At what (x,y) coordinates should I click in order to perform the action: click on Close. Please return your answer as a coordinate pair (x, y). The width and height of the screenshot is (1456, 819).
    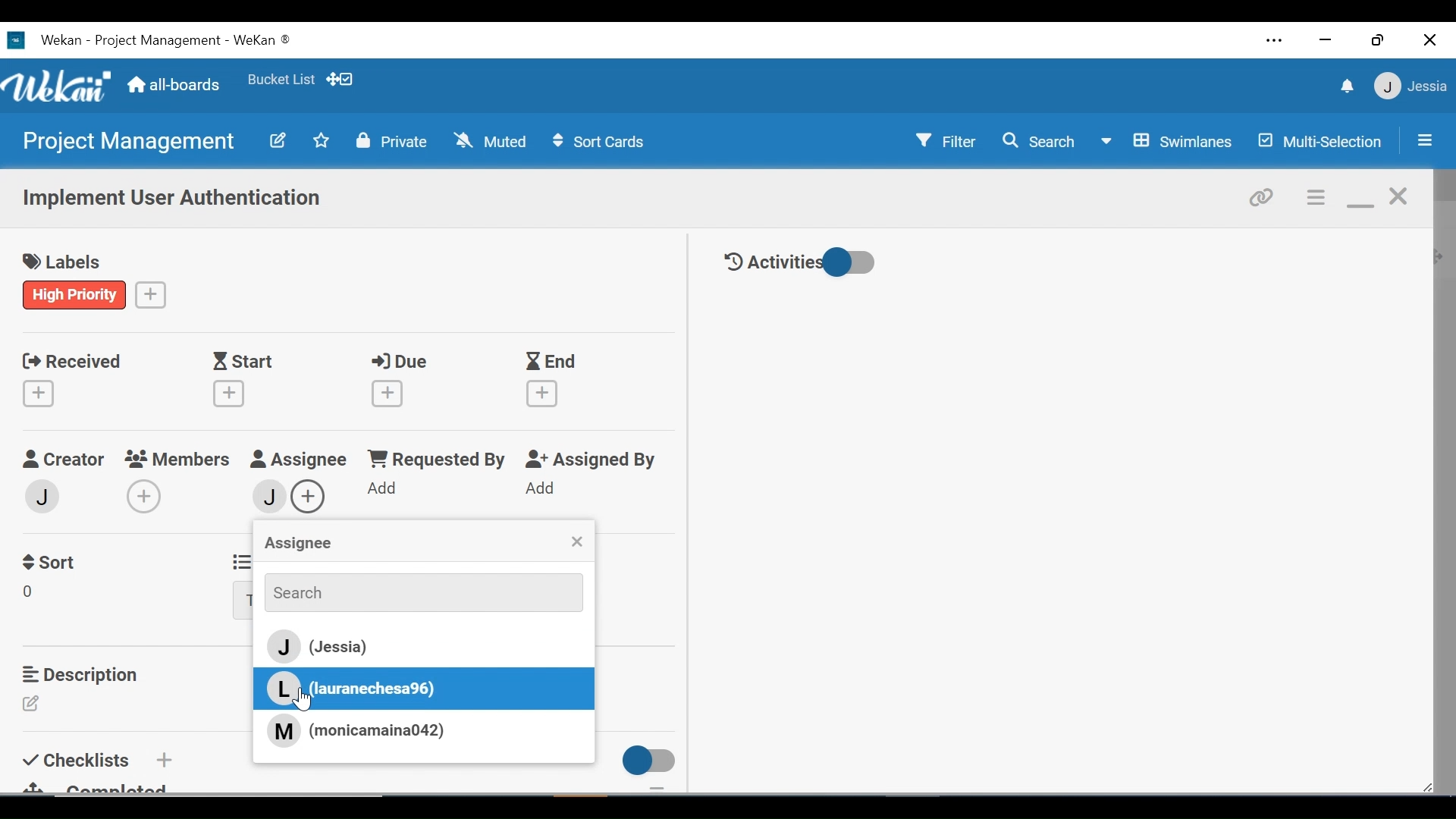
    Looking at the image, I should click on (576, 543).